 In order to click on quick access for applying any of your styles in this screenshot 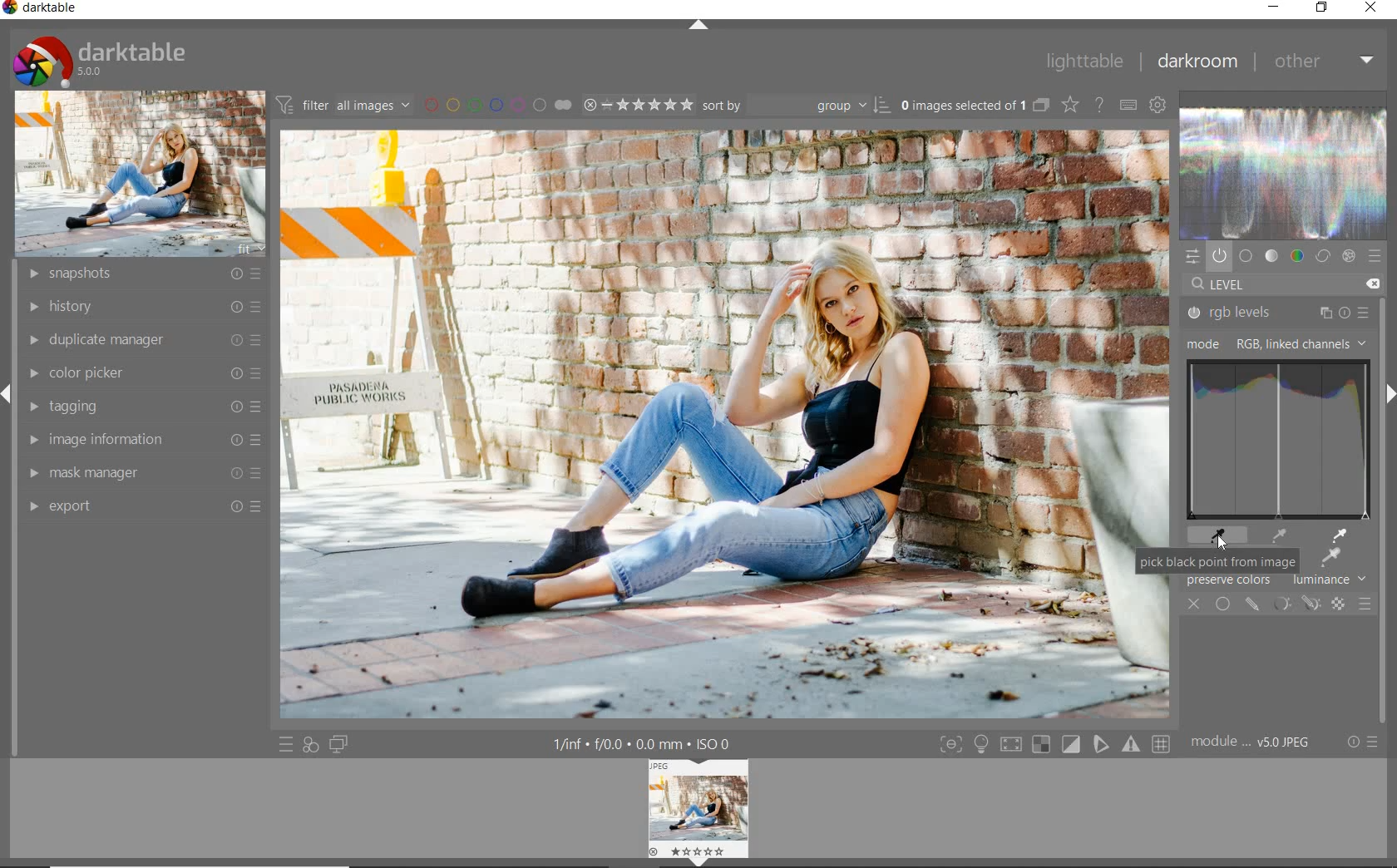, I will do `click(311, 745)`.